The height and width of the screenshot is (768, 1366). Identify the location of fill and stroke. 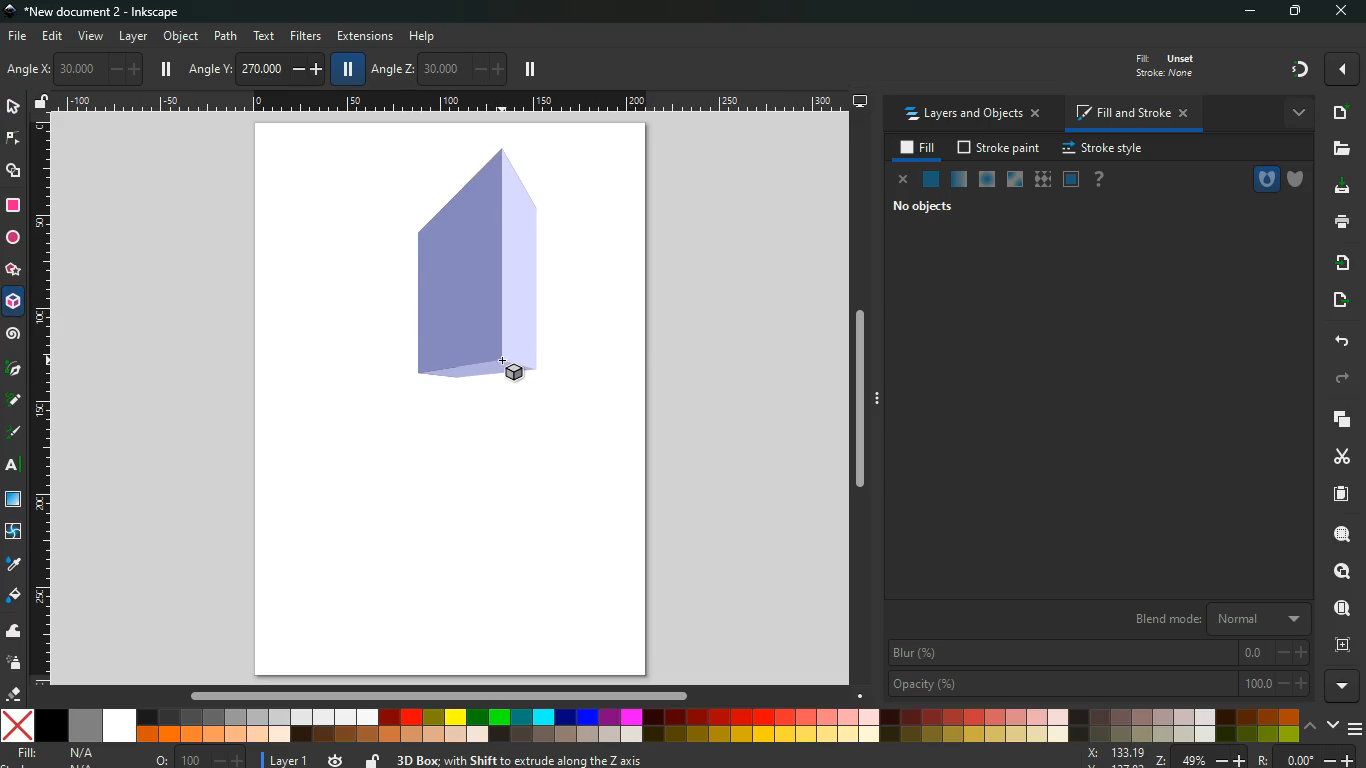
(1130, 115).